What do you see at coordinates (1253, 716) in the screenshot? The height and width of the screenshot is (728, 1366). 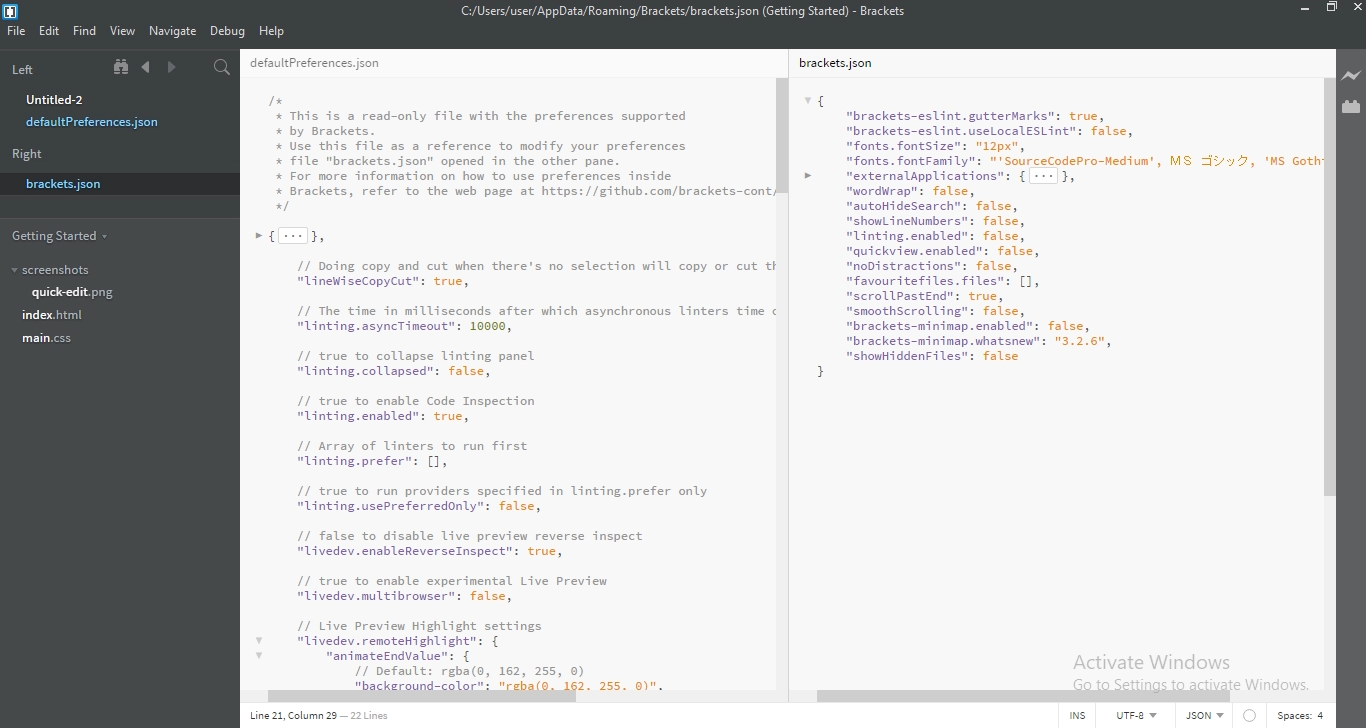 I see `circle` at bounding box center [1253, 716].